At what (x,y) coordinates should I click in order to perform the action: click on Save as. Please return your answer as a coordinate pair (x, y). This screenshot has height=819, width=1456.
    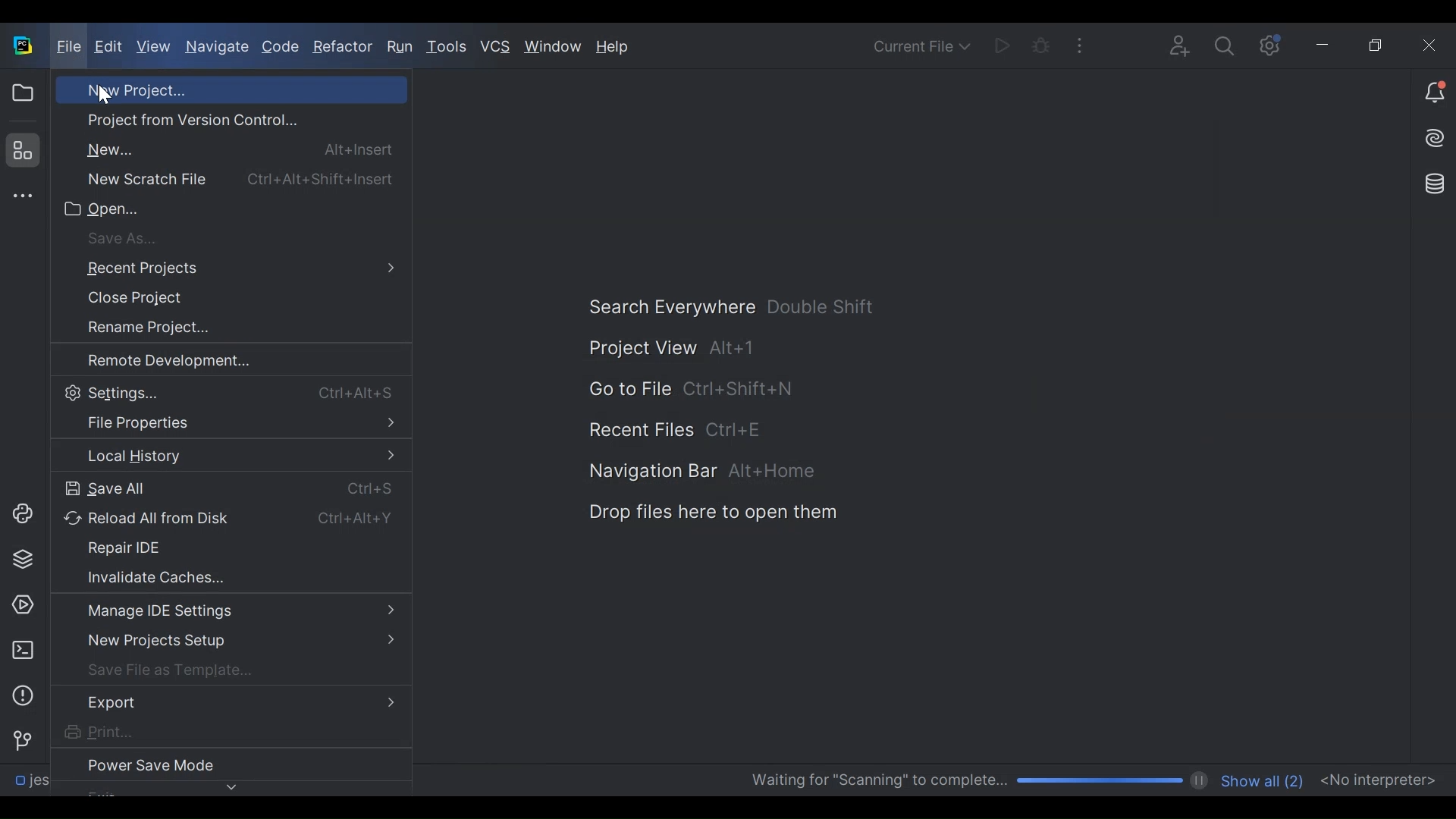
    Looking at the image, I should click on (212, 240).